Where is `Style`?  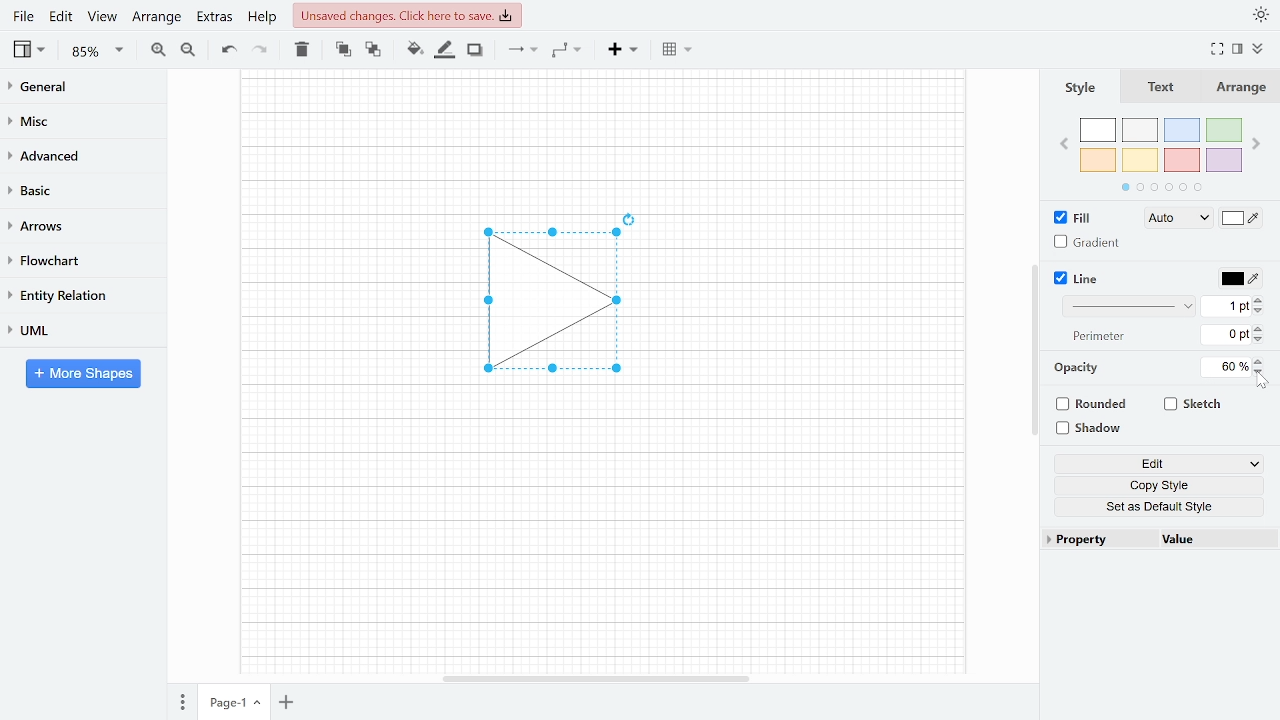 Style is located at coordinates (1078, 87).